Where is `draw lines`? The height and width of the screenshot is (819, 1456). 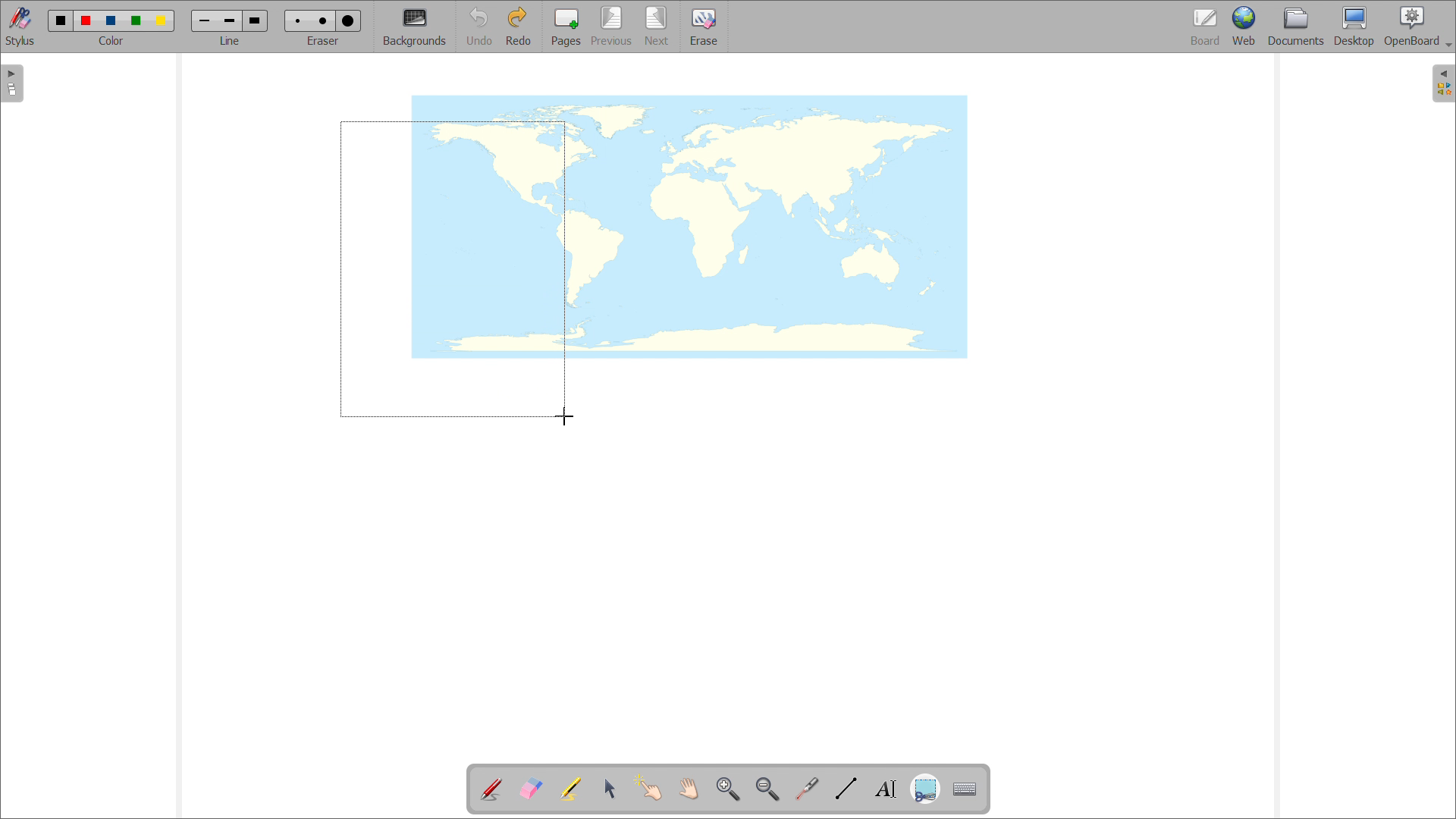 draw lines is located at coordinates (846, 789).